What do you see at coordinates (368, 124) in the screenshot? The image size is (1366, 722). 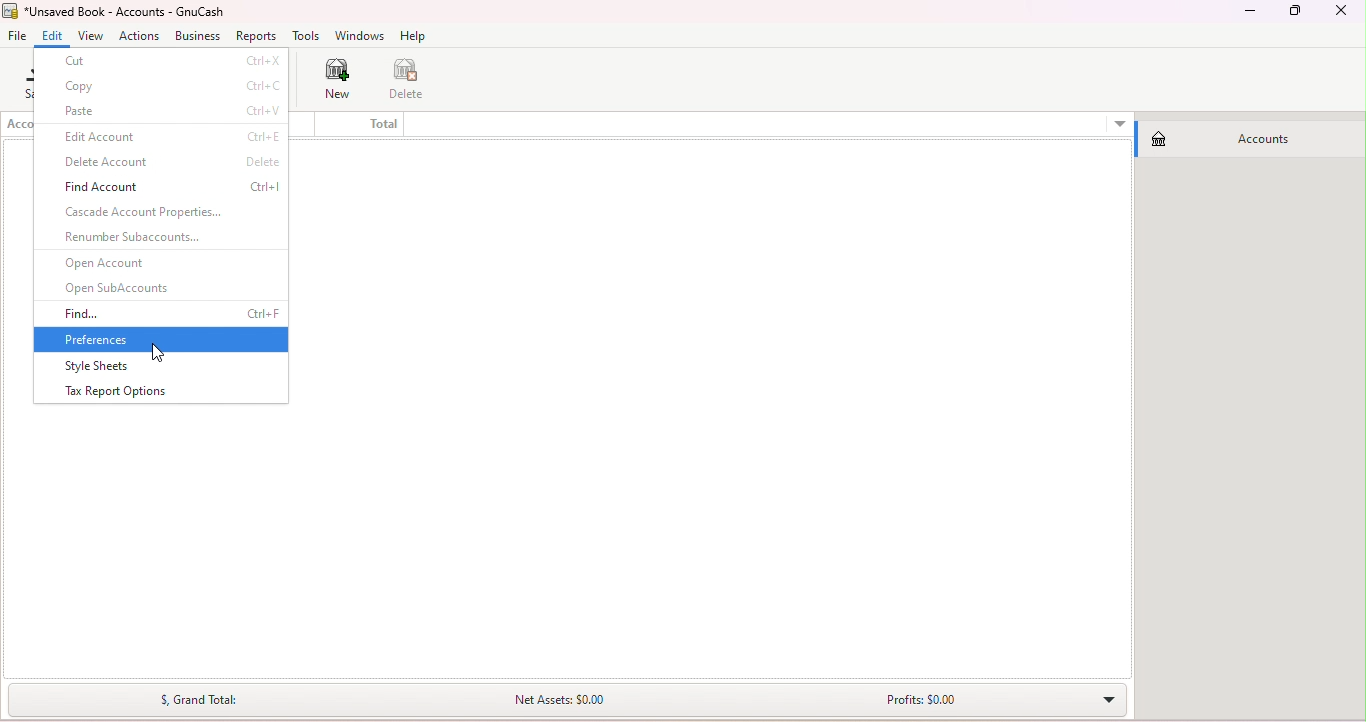 I see `Total` at bounding box center [368, 124].